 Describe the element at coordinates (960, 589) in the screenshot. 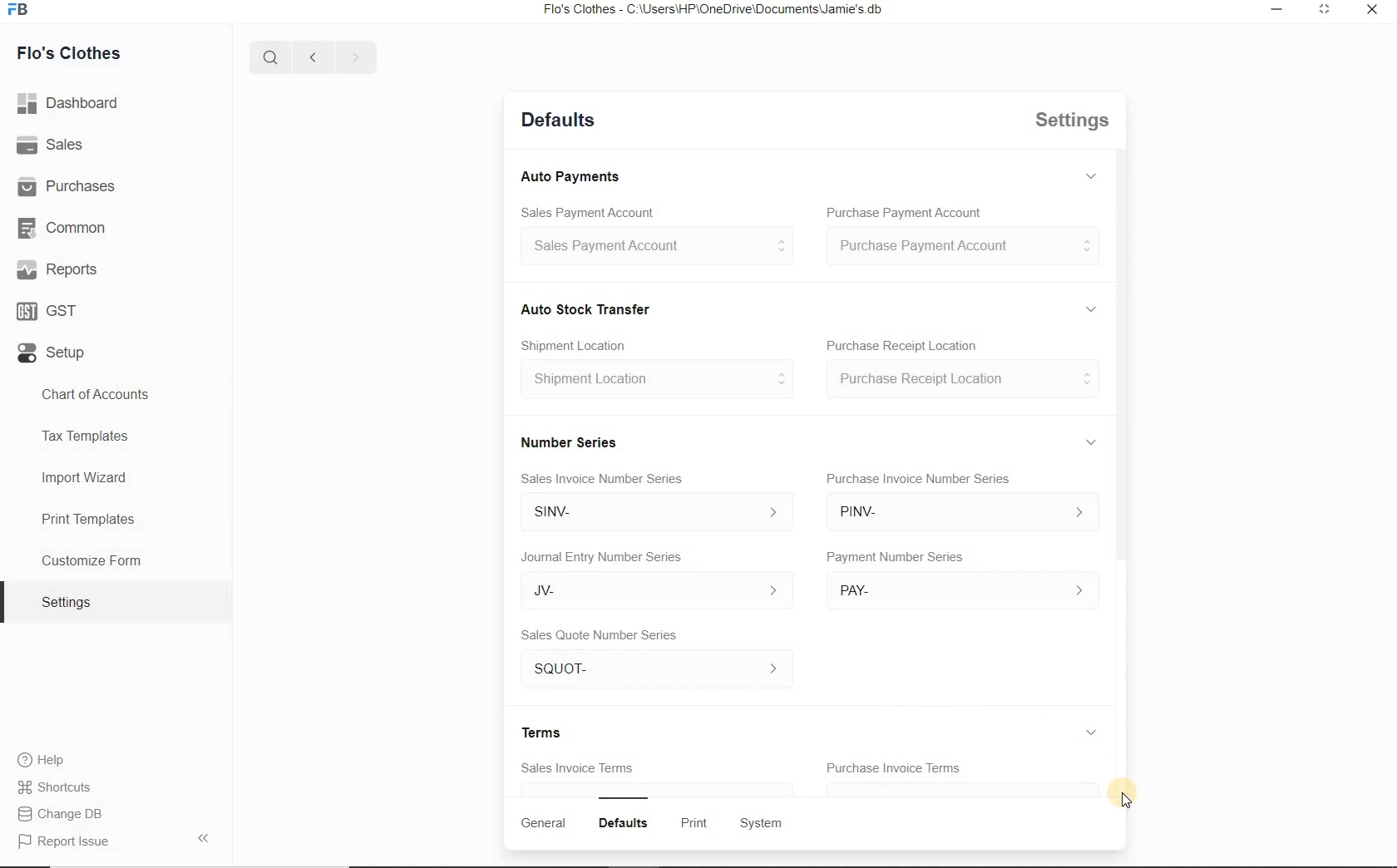

I see `> PAY-` at that location.